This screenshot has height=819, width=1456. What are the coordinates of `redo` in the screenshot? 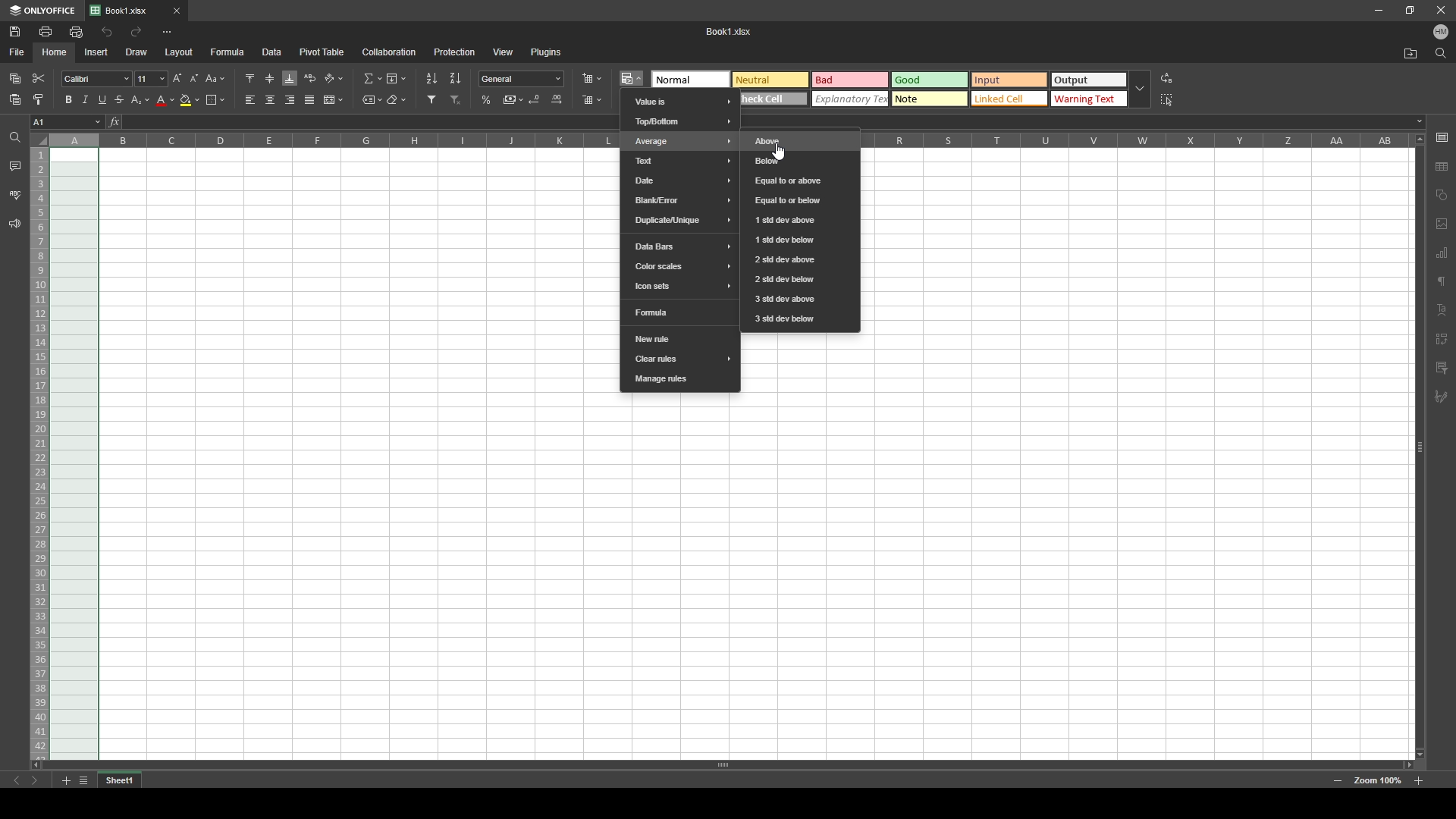 It's located at (136, 31).